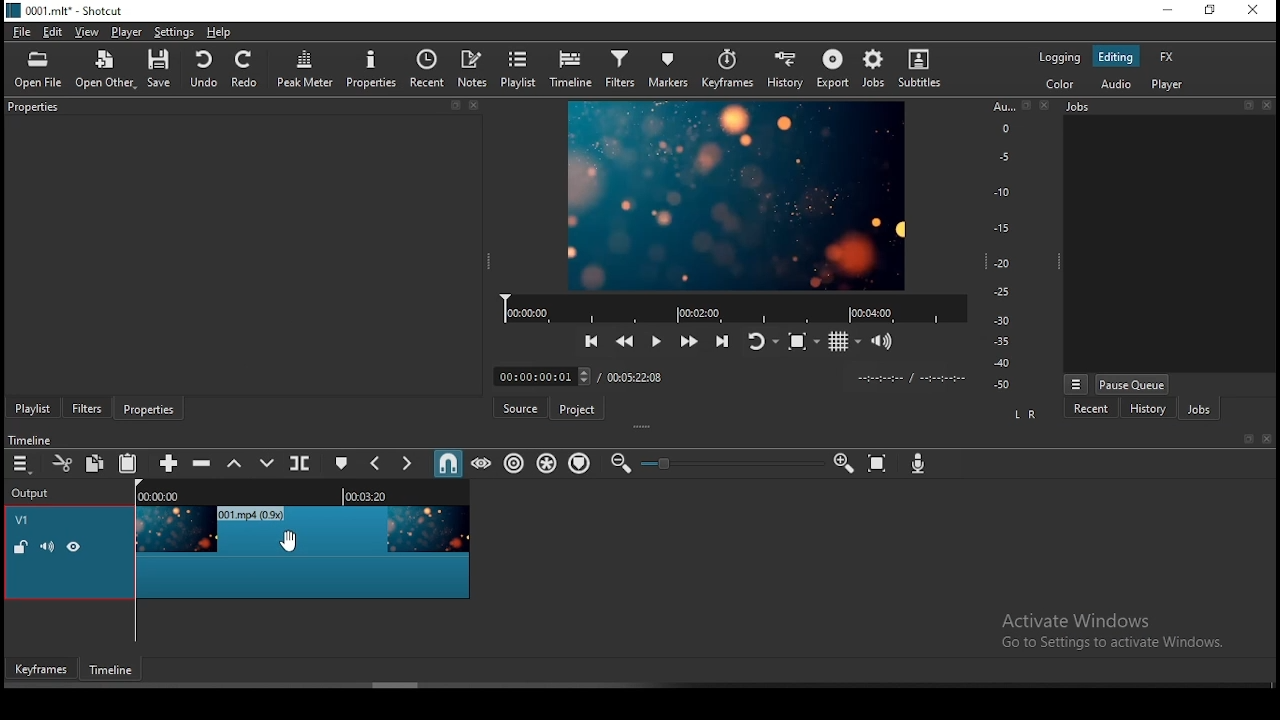  I want to click on playlist, so click(519, 69).